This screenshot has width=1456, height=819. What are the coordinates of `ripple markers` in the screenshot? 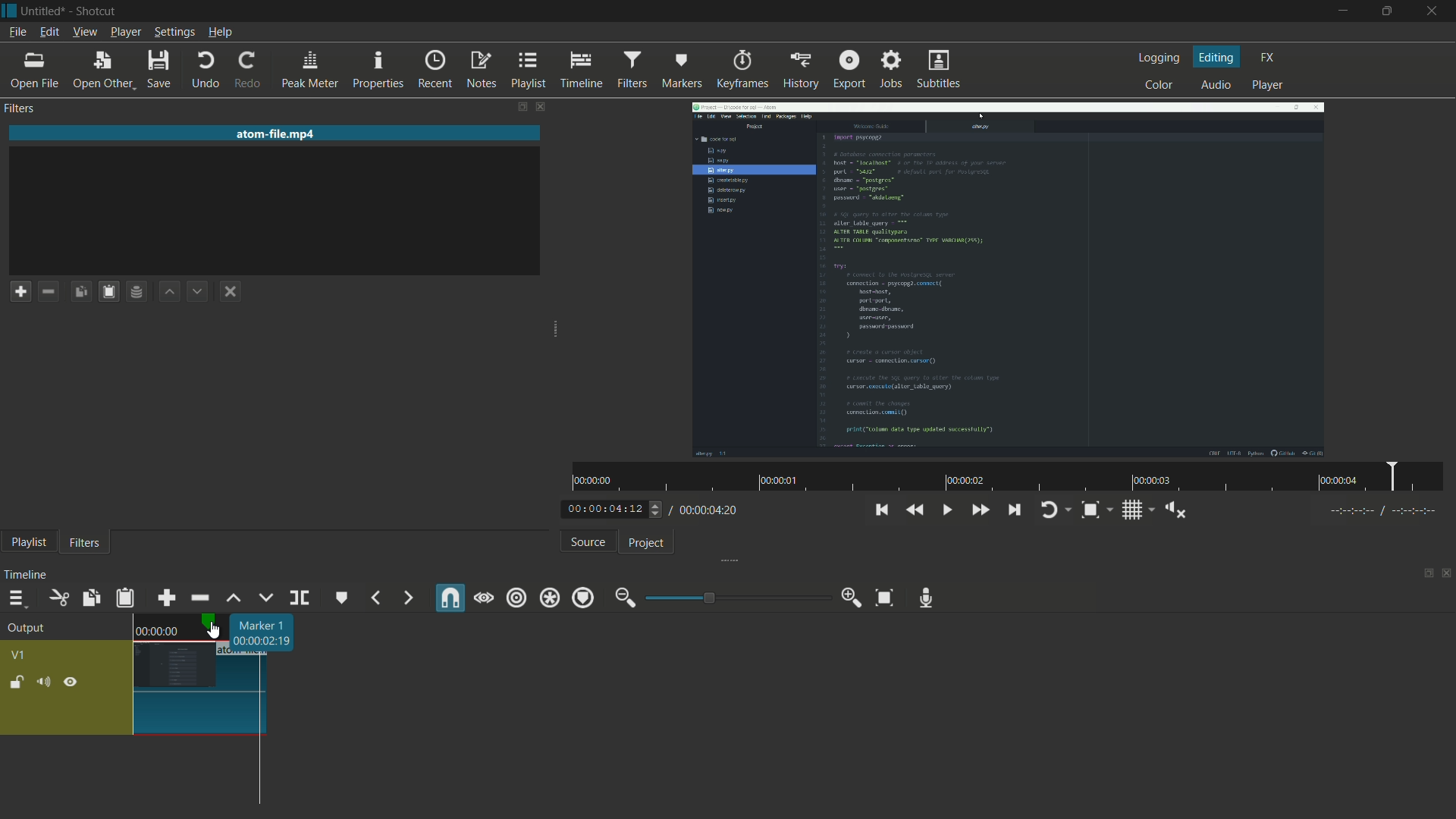 It's located at (583, 597).